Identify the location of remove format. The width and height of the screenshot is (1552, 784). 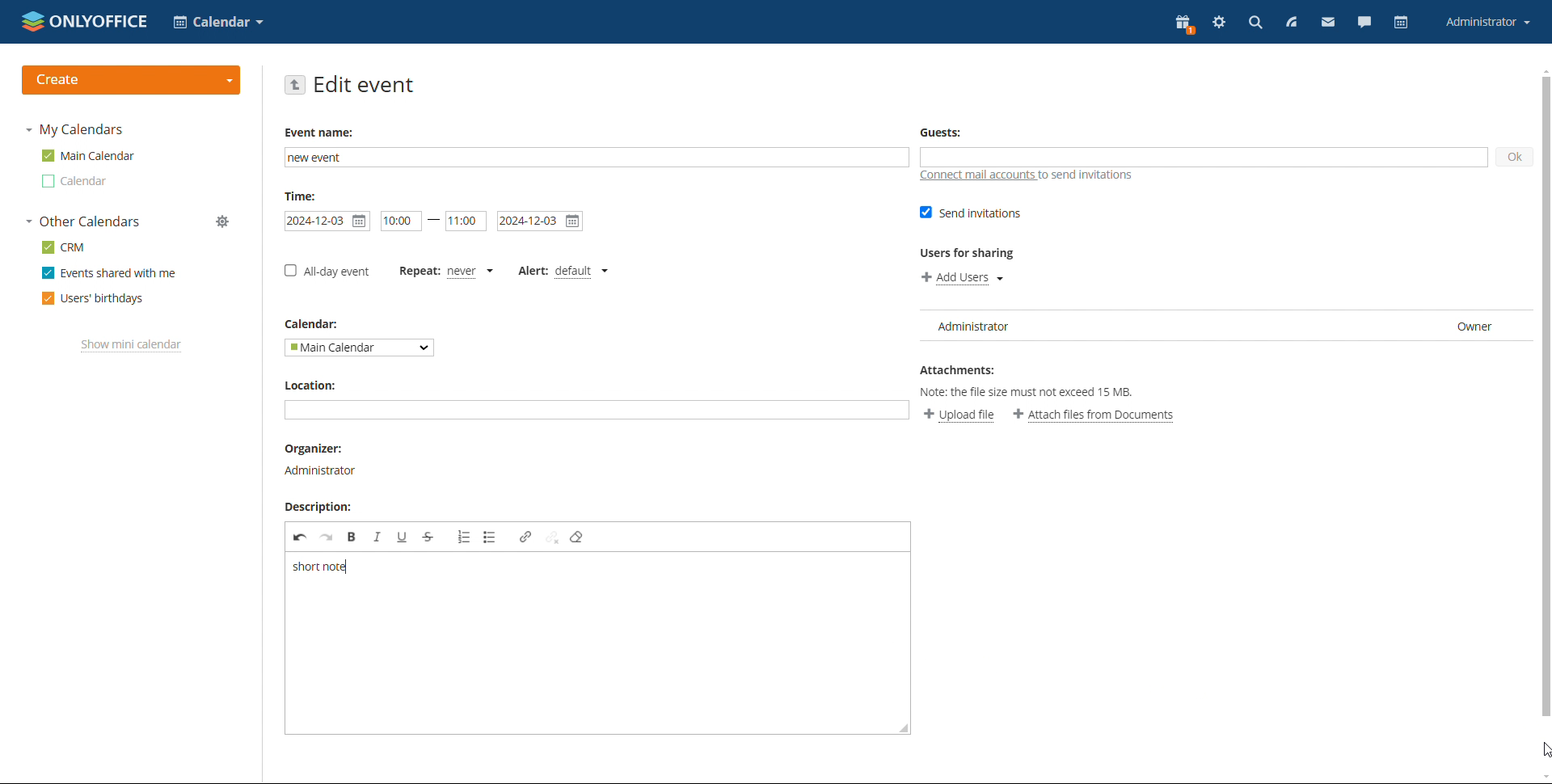
(578, 537).